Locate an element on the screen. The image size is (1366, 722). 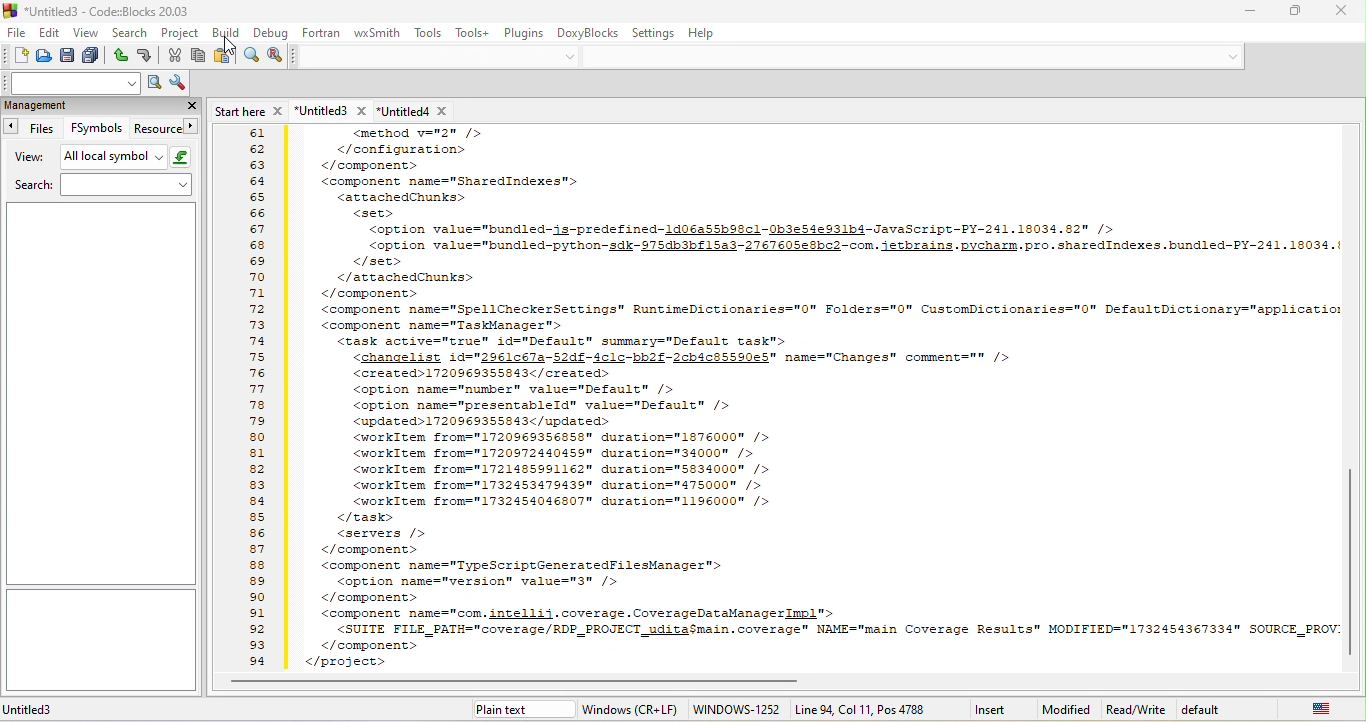
plugins is located at coordinates (528, 32).